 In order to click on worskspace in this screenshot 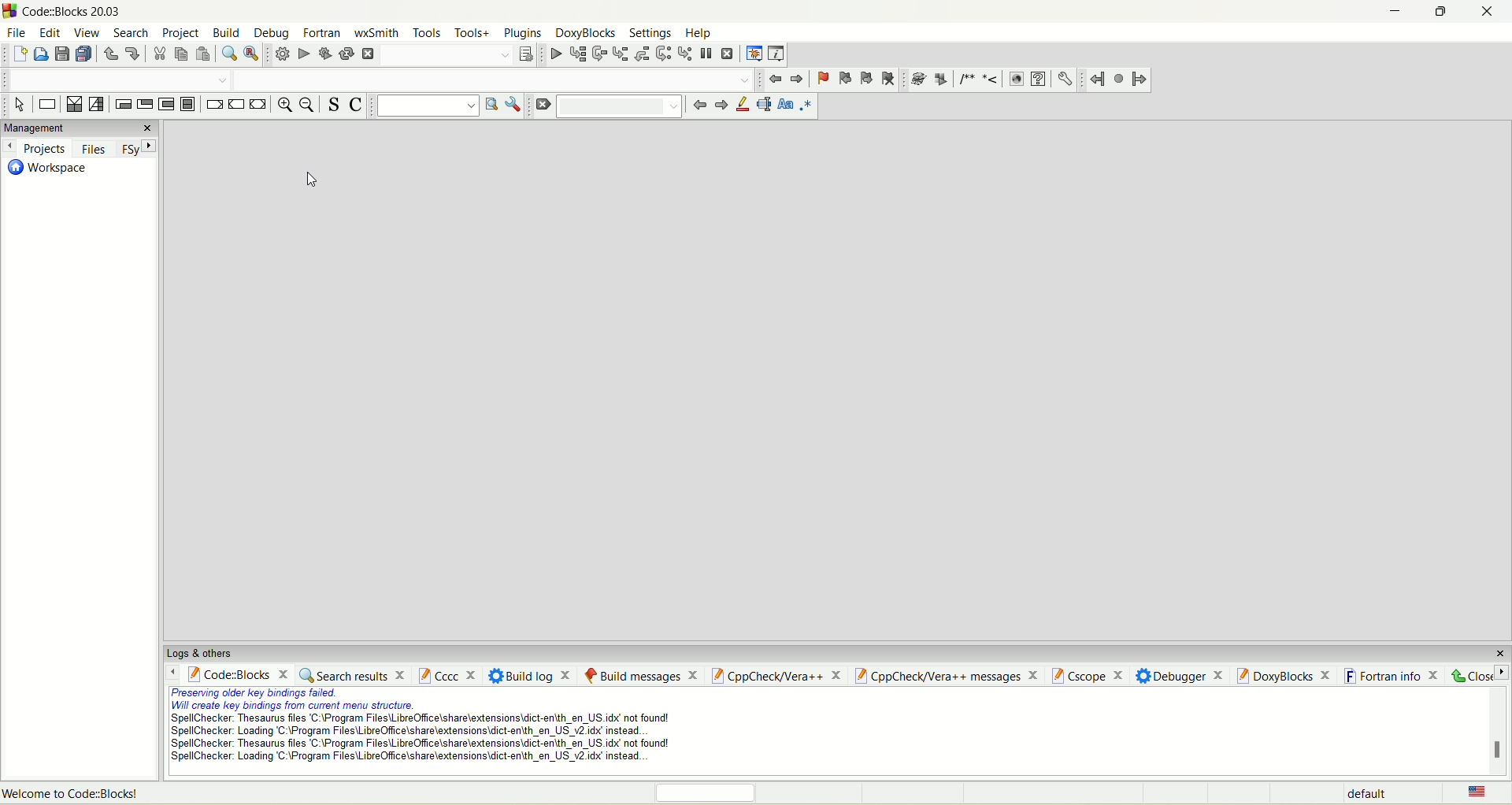, I will do `click(840, 384)`.